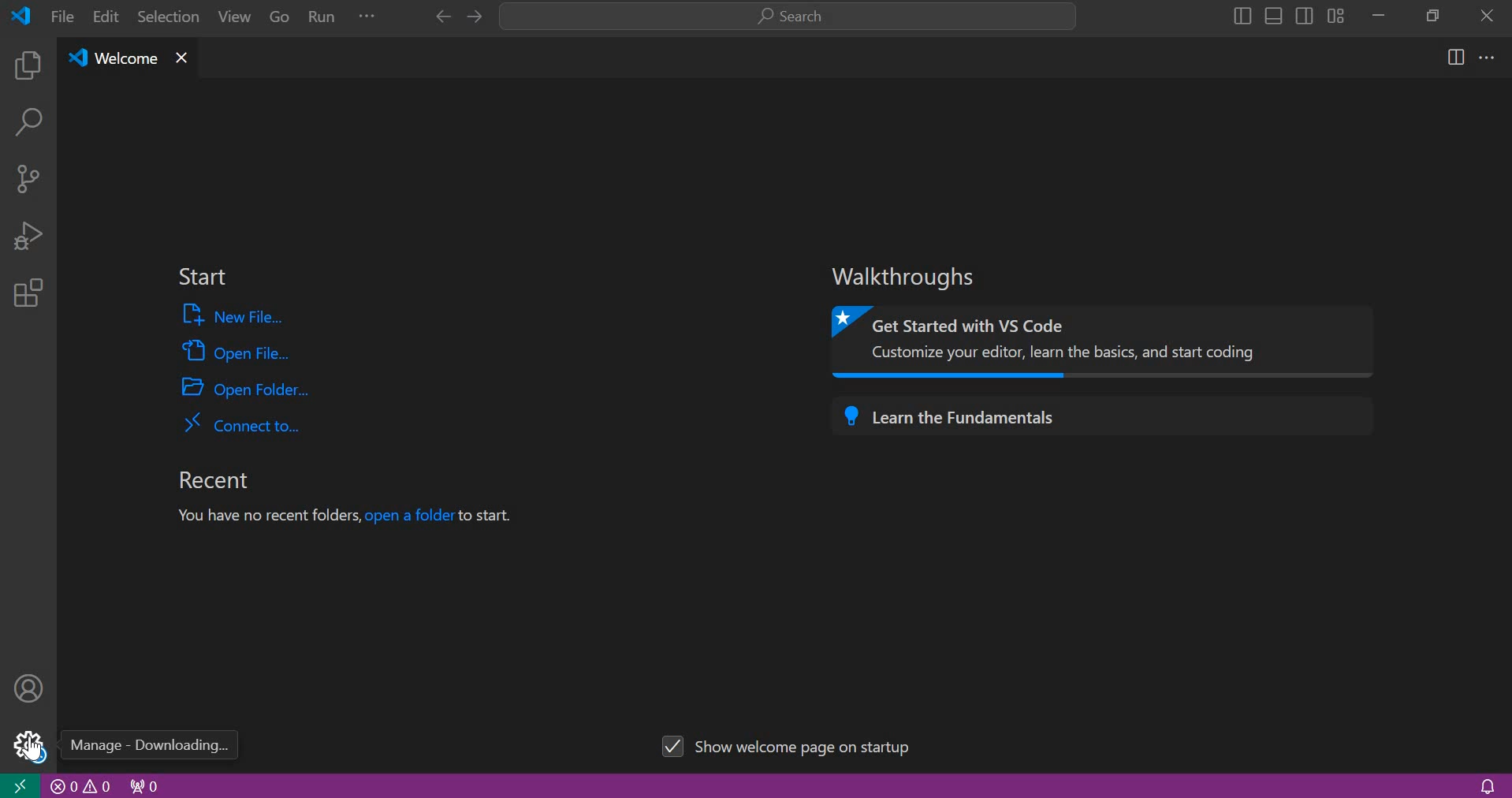  I want to click on you have no recent folders, open a folder to start, so click(352, 517).